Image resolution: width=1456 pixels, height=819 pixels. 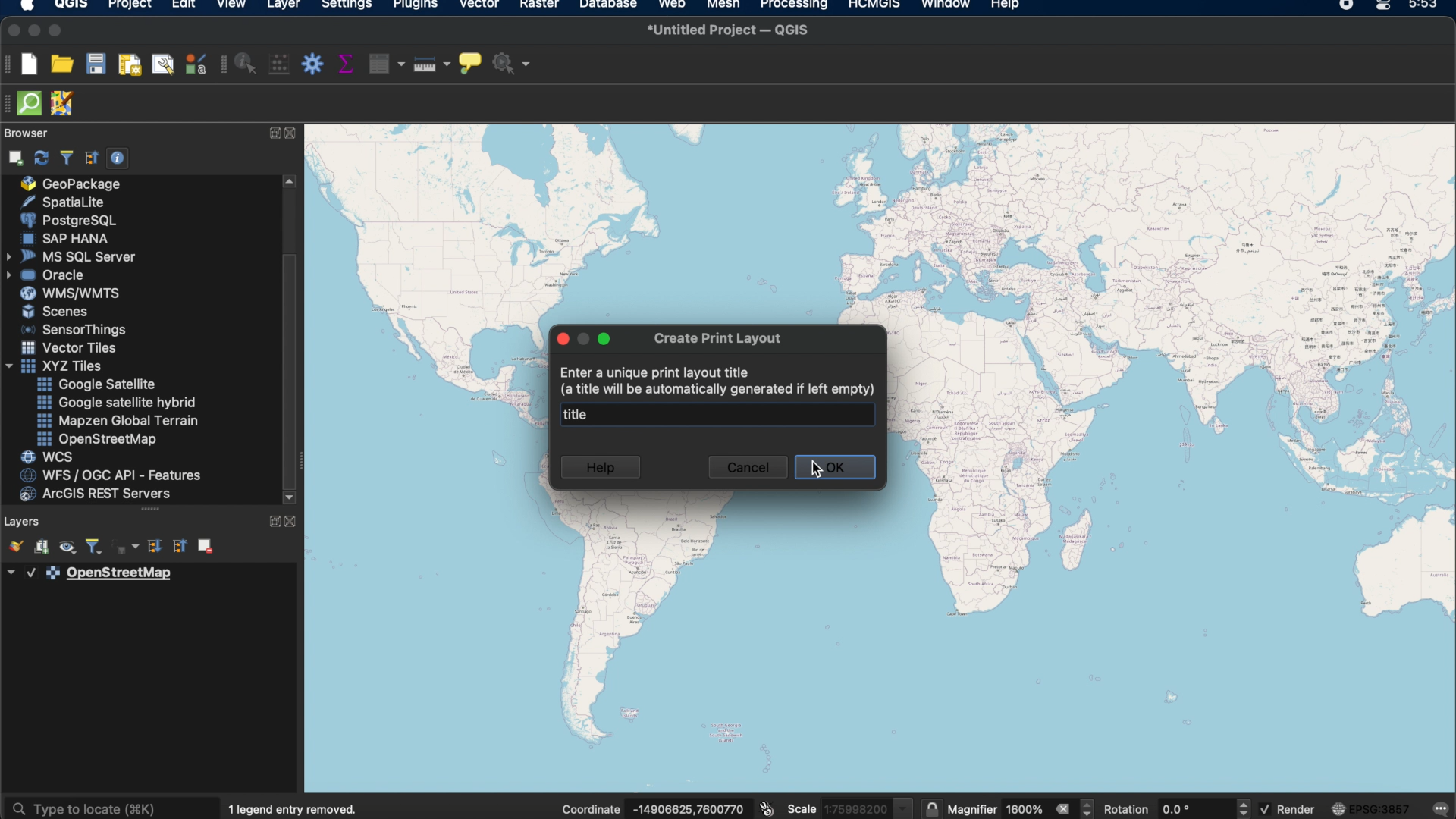 What do you see at coordinates (93, 548) in the screenshot?
I see `filter legend` at bounding box center [93, 548].